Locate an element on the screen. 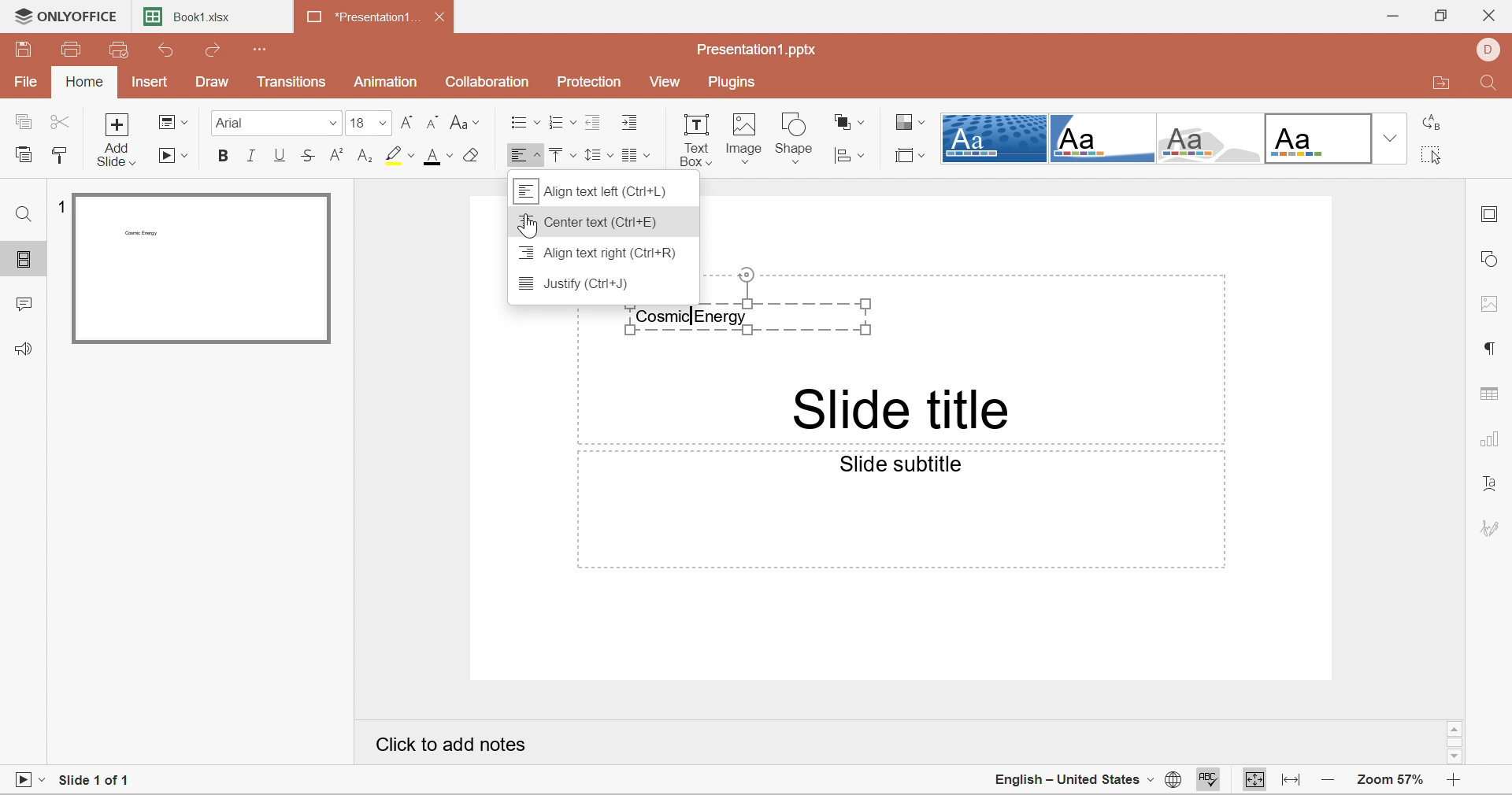 Image resolution: width=1512 pixels, height=795 pixels. 1 is located at coordinates (64, 205).